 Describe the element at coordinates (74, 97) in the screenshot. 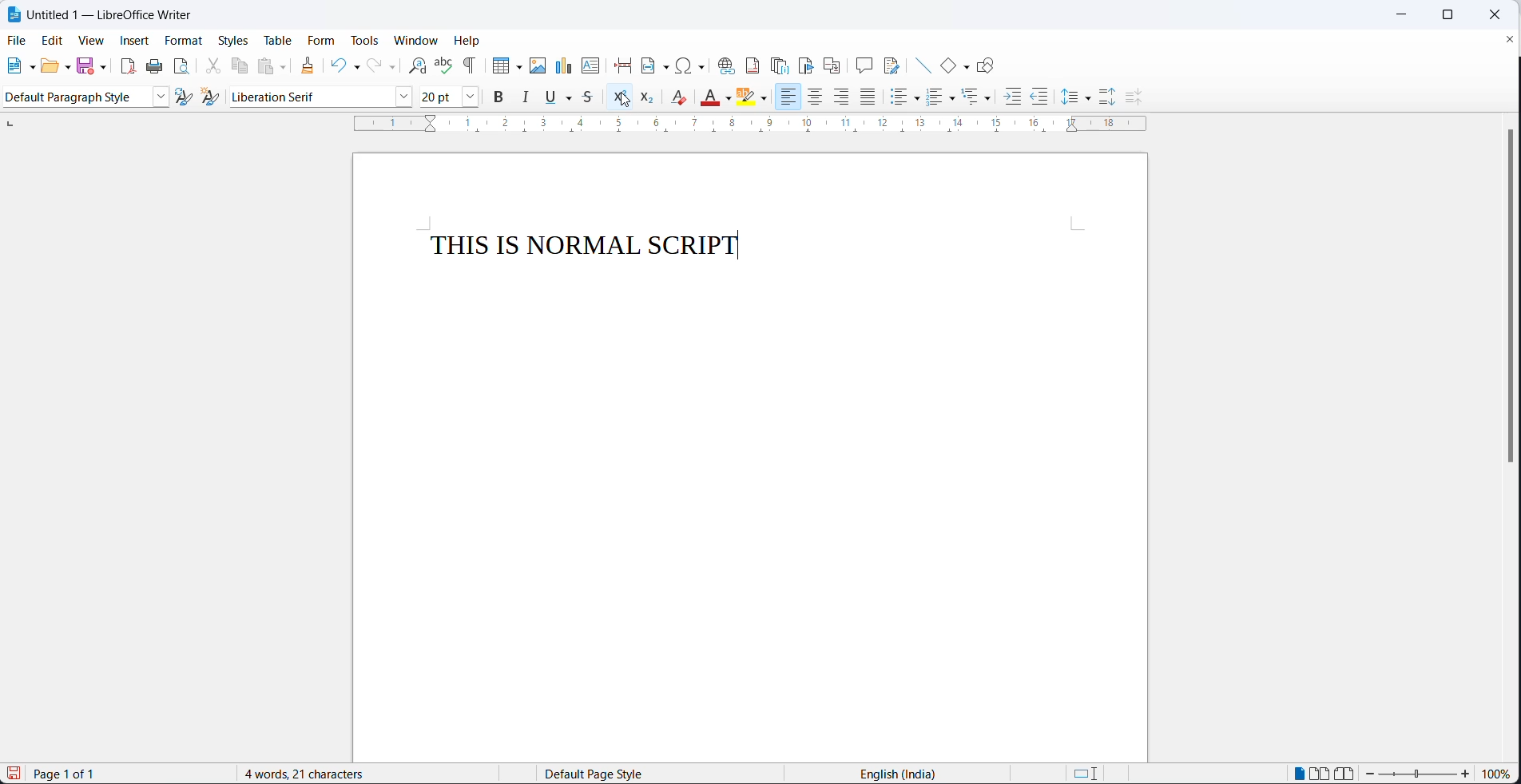

I see `paragraph style` at that location.